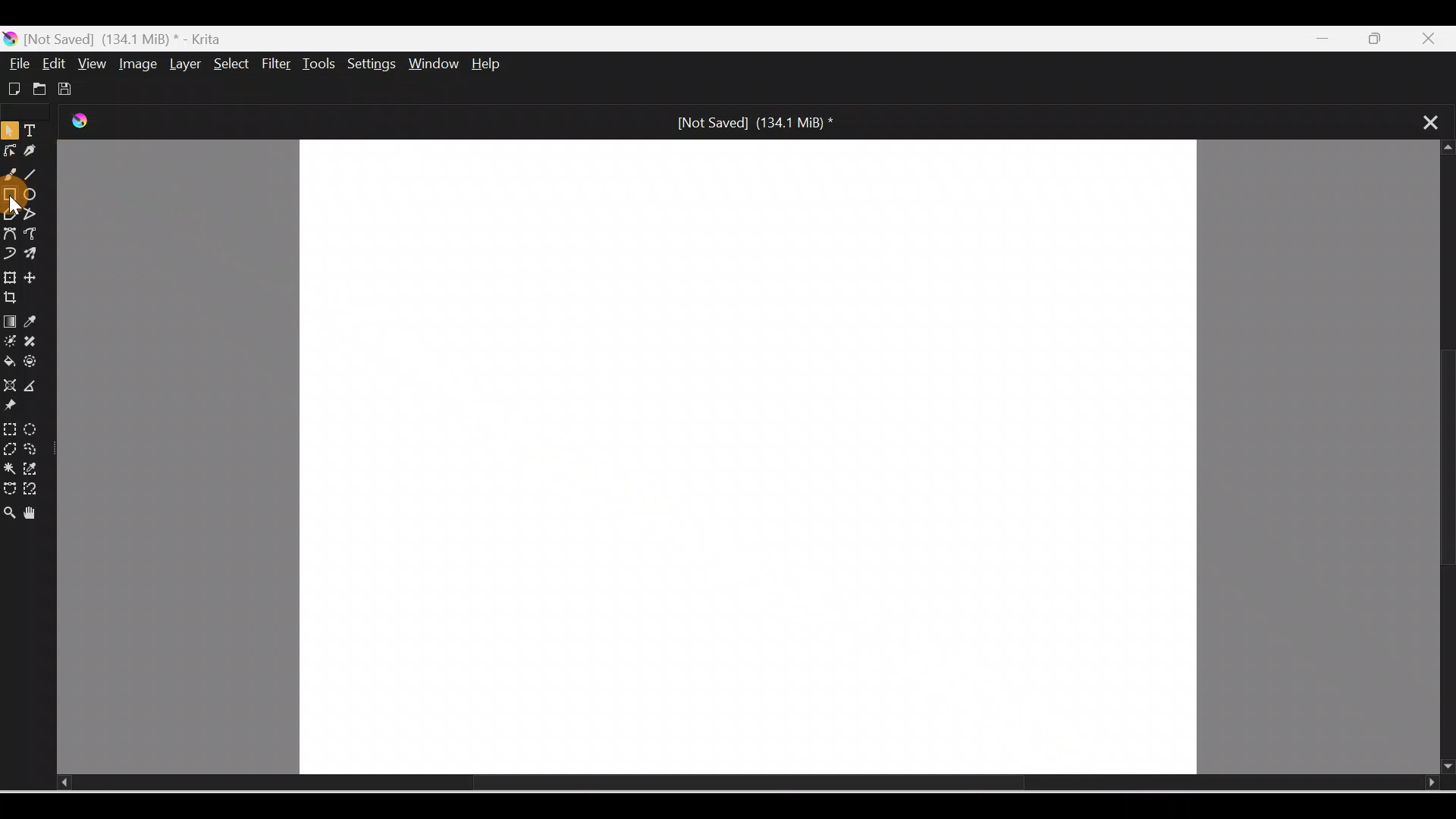  I want to click on Krita Logo, so click(92, 127).